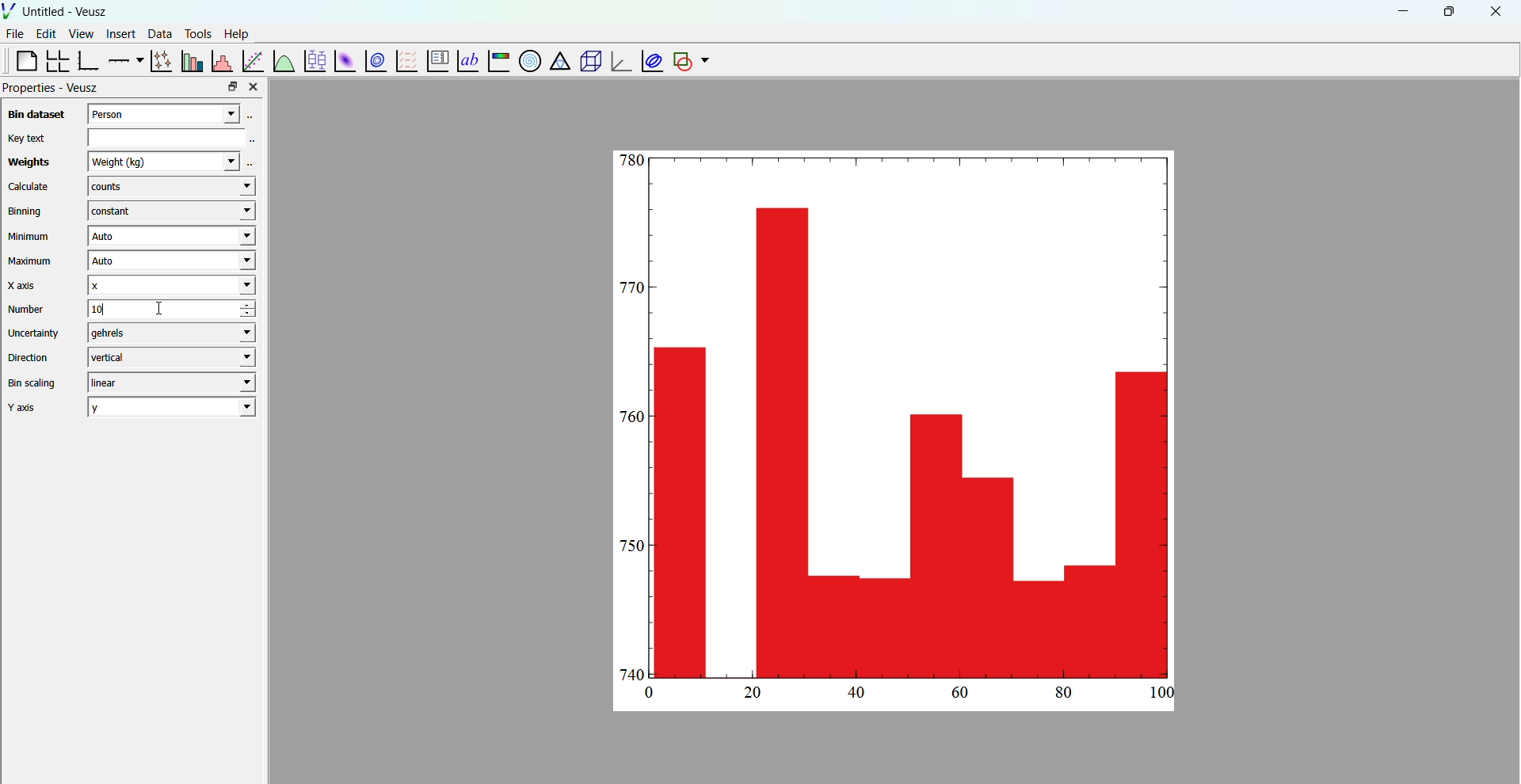  I want to click on plot bar chats, so click(190, 61).